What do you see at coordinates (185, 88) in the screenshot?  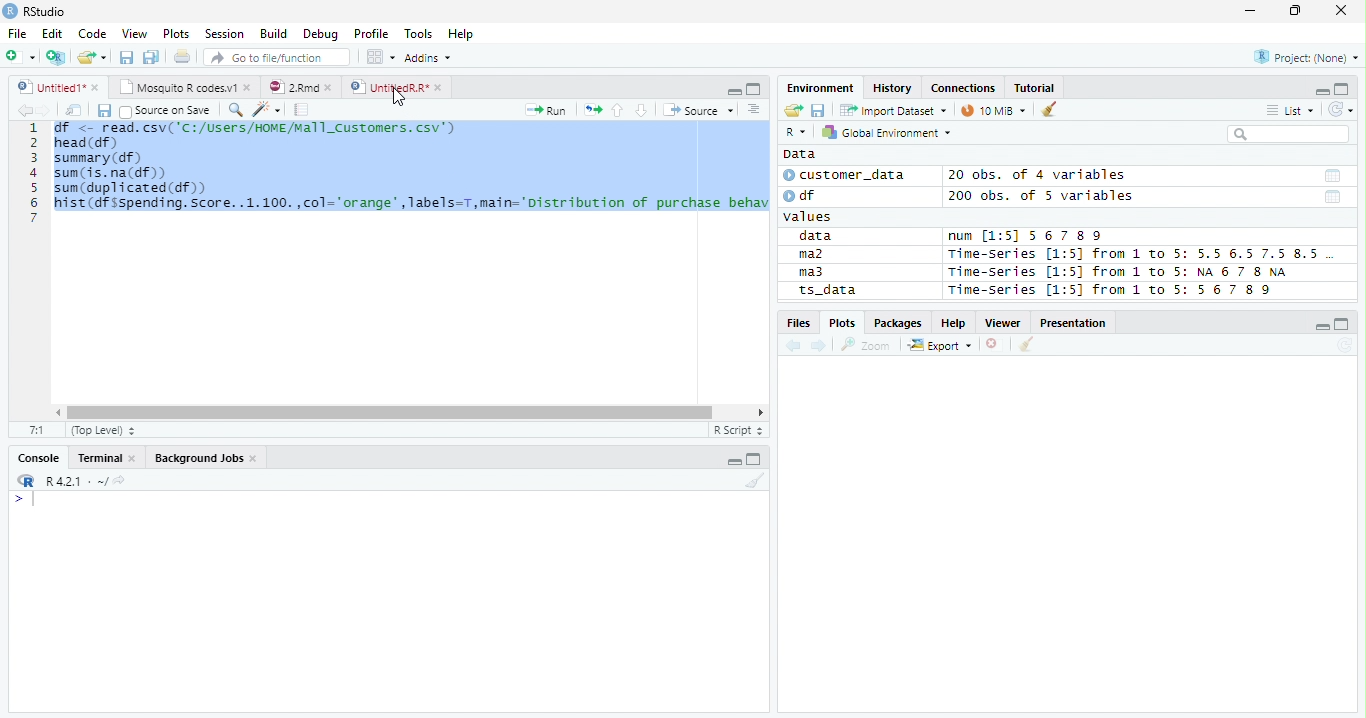 I see `Mosquito T codes.v1` at bounding box center [185, 88].